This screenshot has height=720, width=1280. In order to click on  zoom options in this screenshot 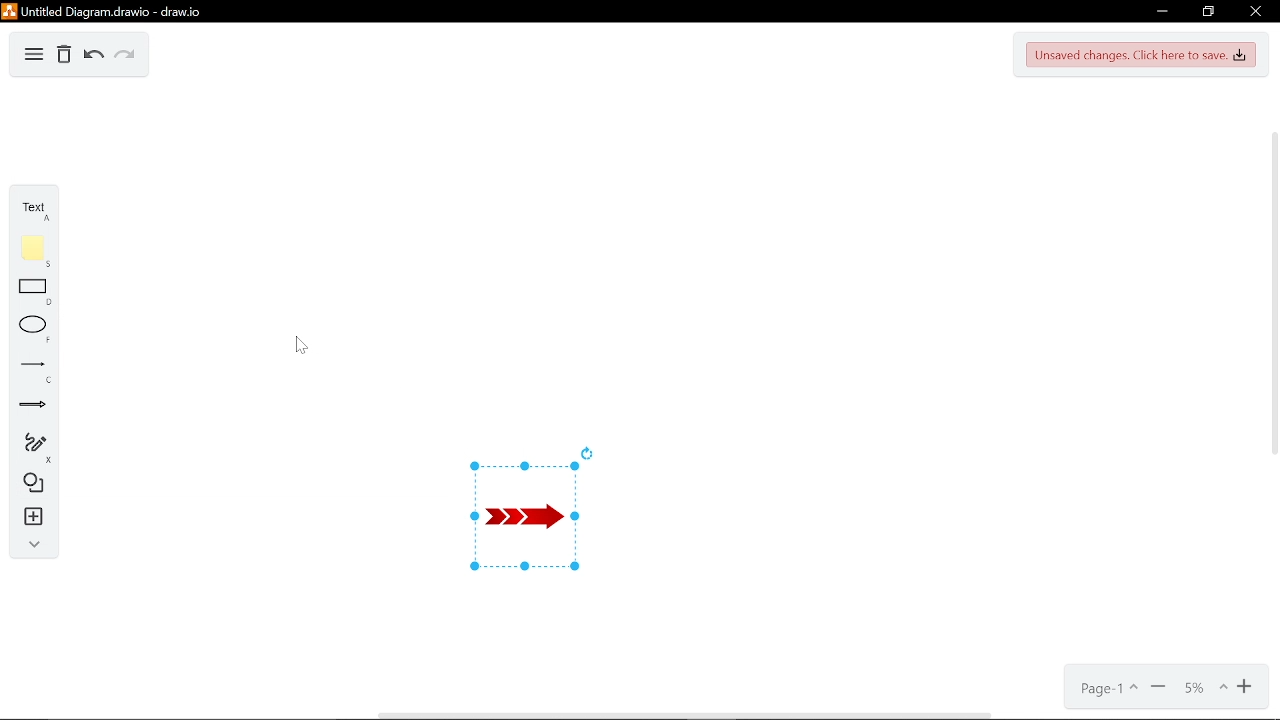, I will do `click(1198, 684)`.